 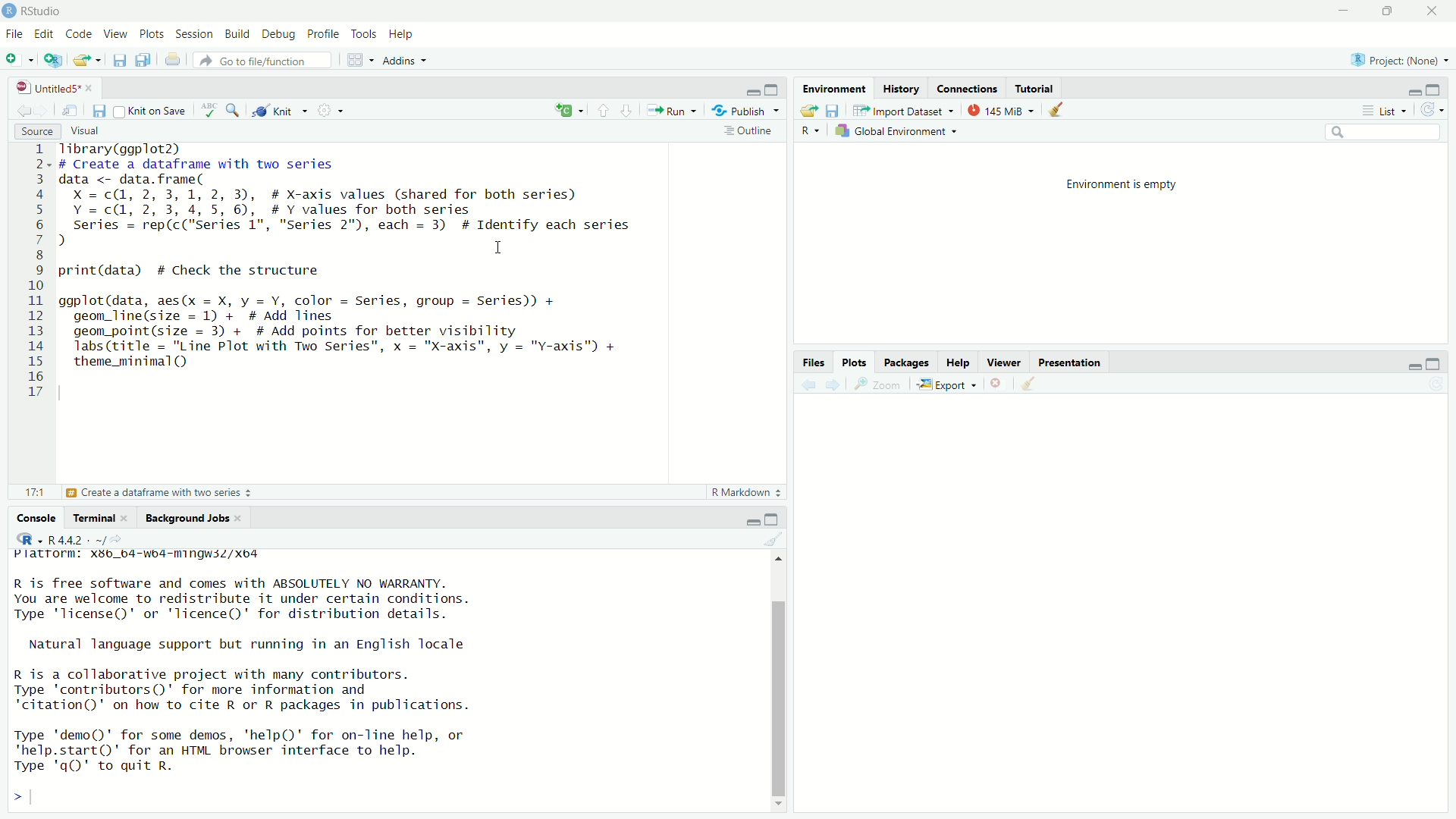 I want to click on minimize, so click(x=1342, y=11).